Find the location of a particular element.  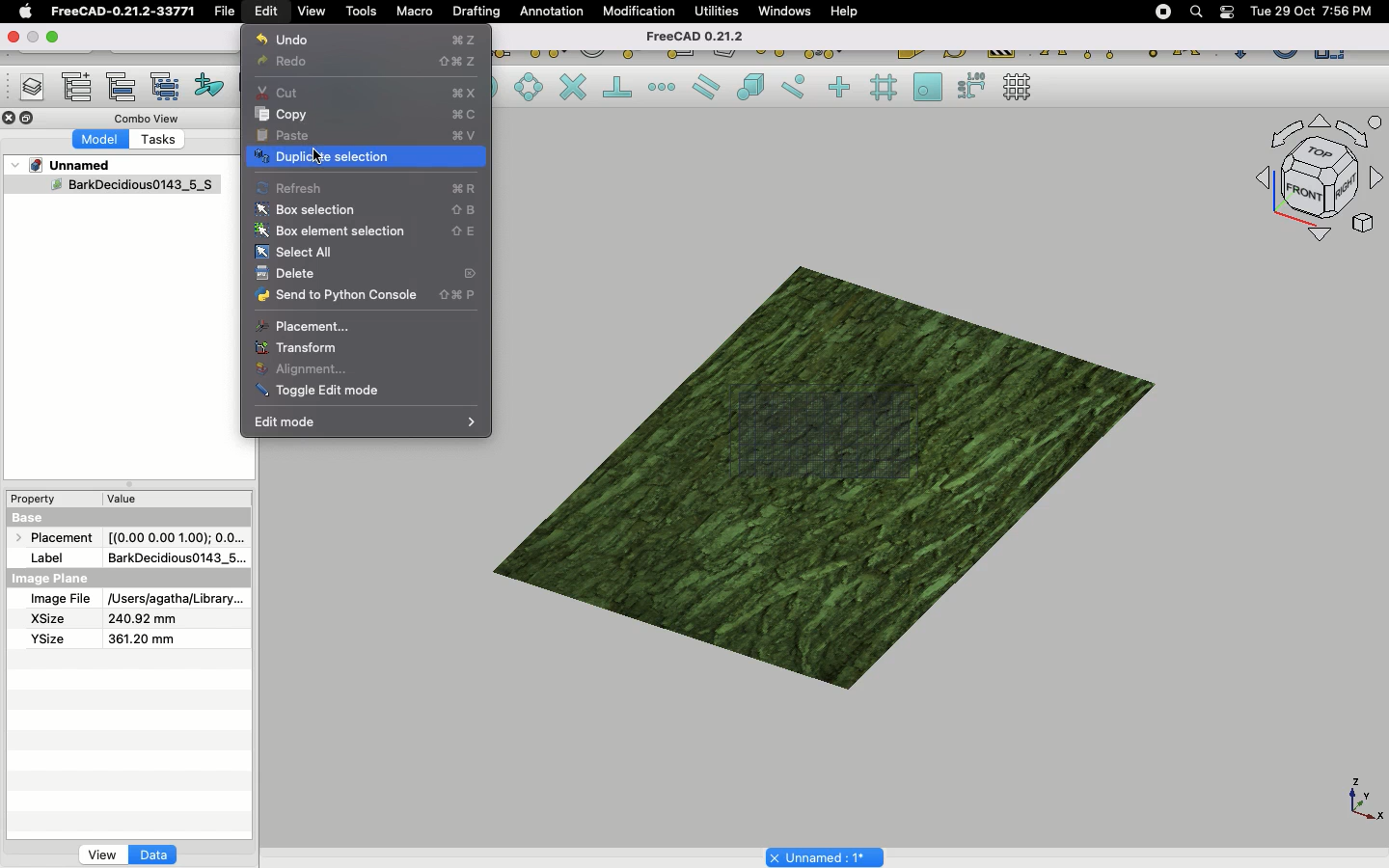

Copy is located at coordinates (366, 115).